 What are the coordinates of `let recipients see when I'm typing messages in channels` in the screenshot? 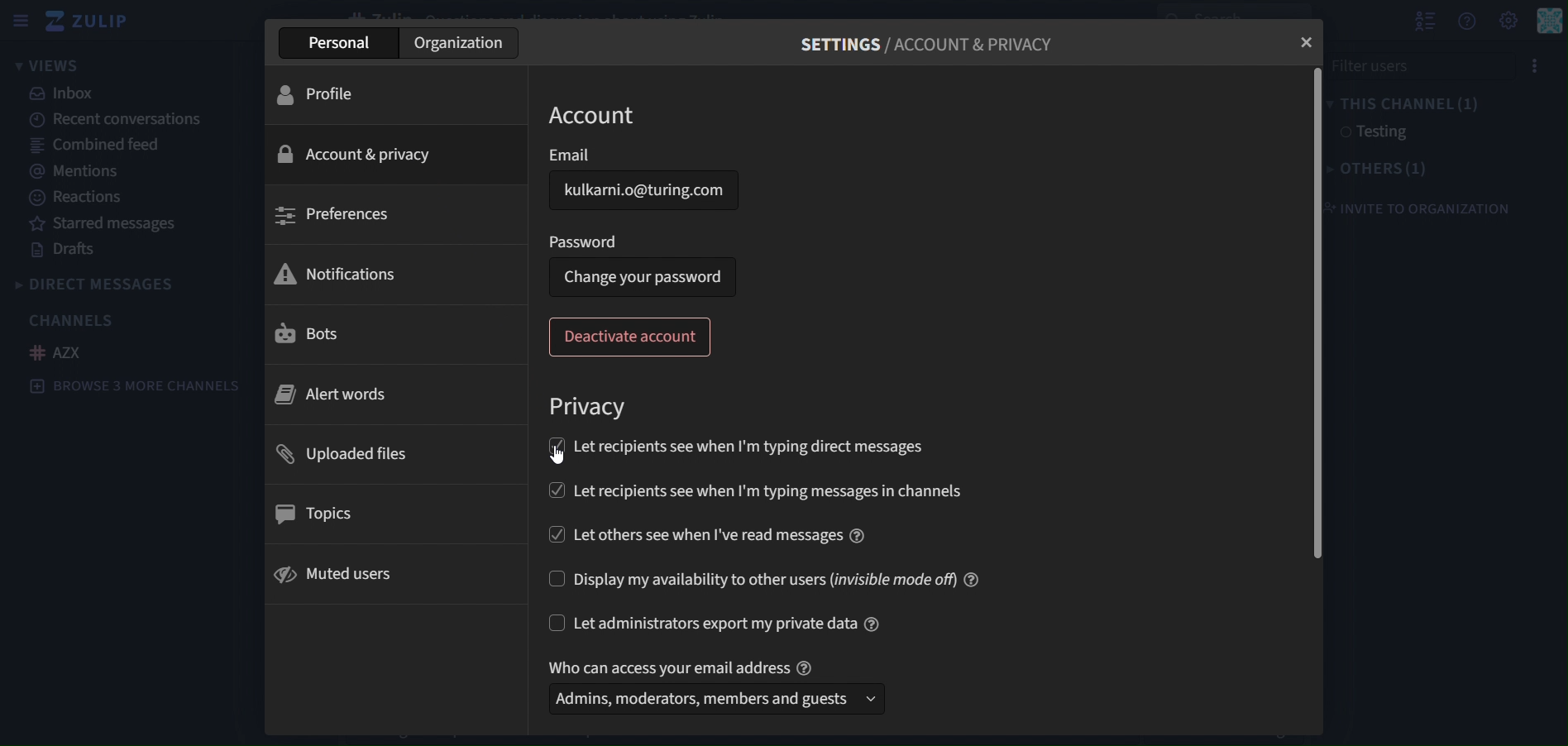 It's located at (757, 489).